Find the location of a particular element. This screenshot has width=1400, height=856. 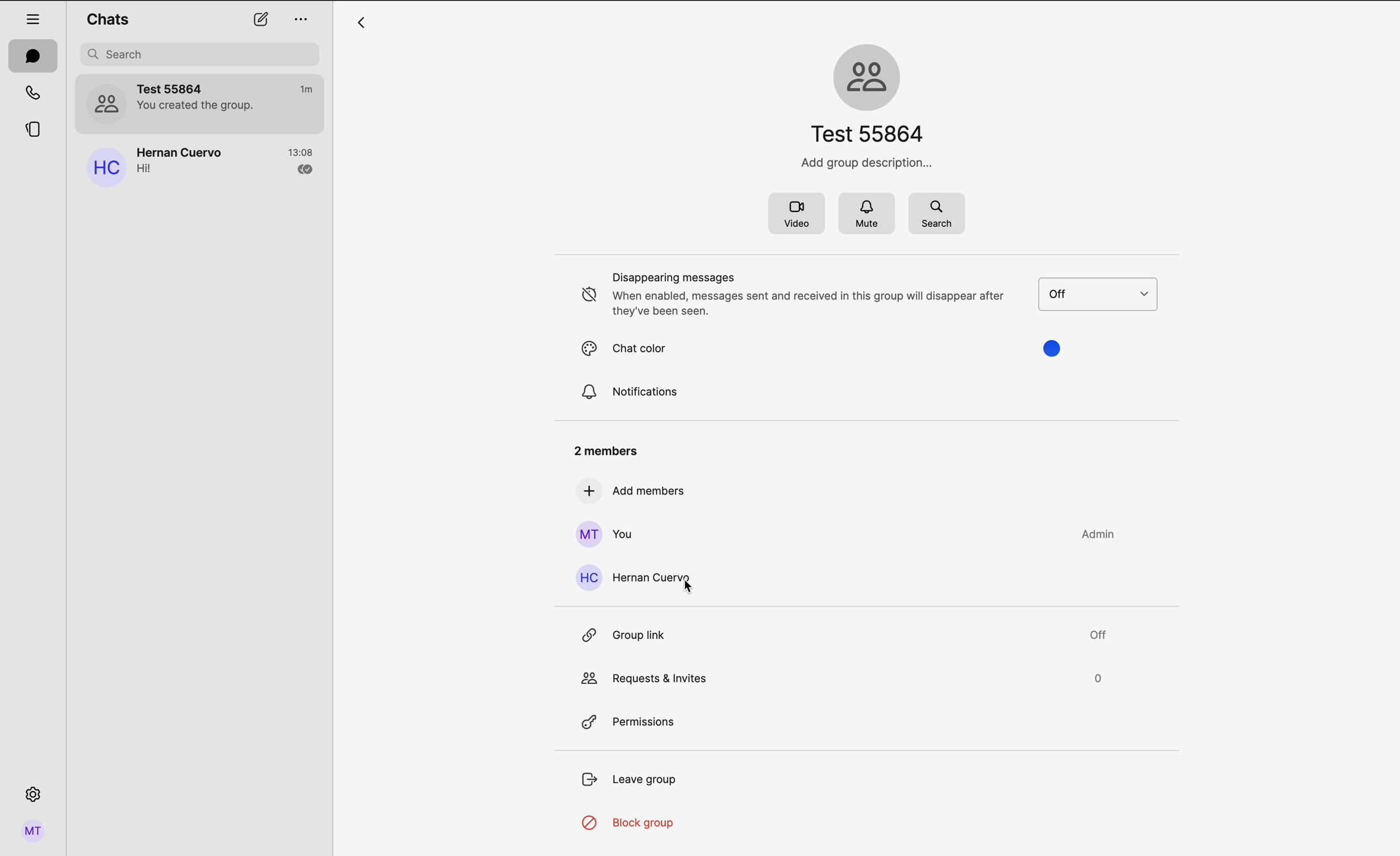

hide tabs is located at coordinates (34, 16).